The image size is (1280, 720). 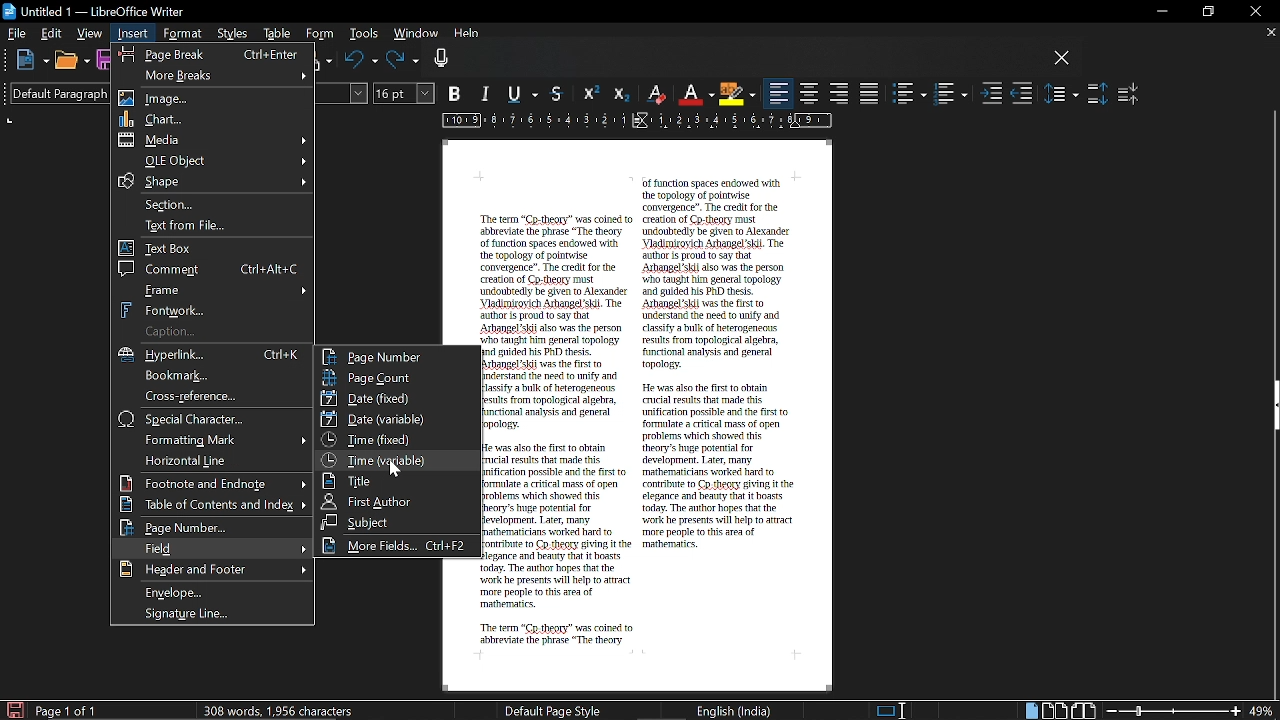 I want to click on Edit, so click(x=53, y=33).